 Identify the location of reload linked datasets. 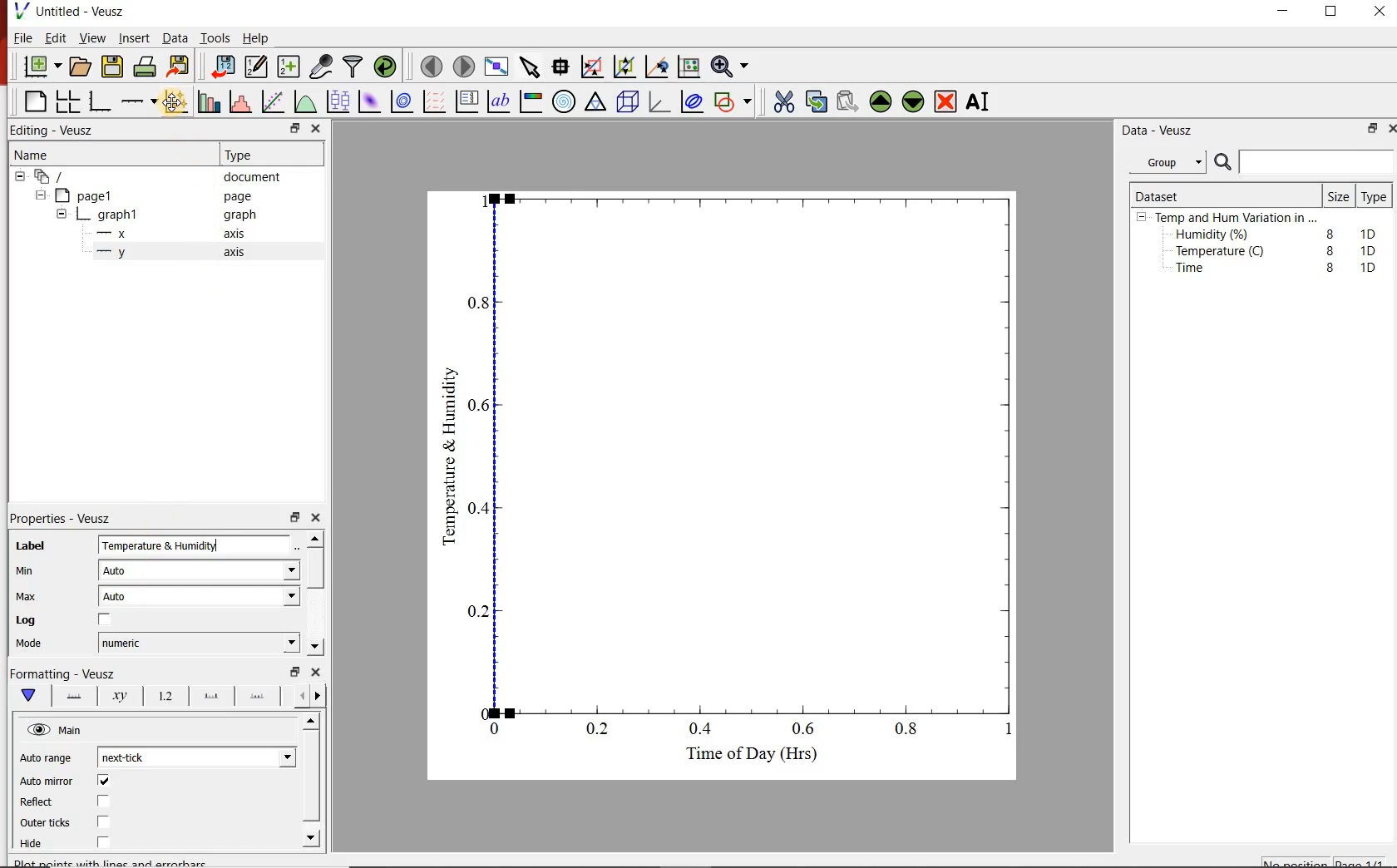
(385, 67).